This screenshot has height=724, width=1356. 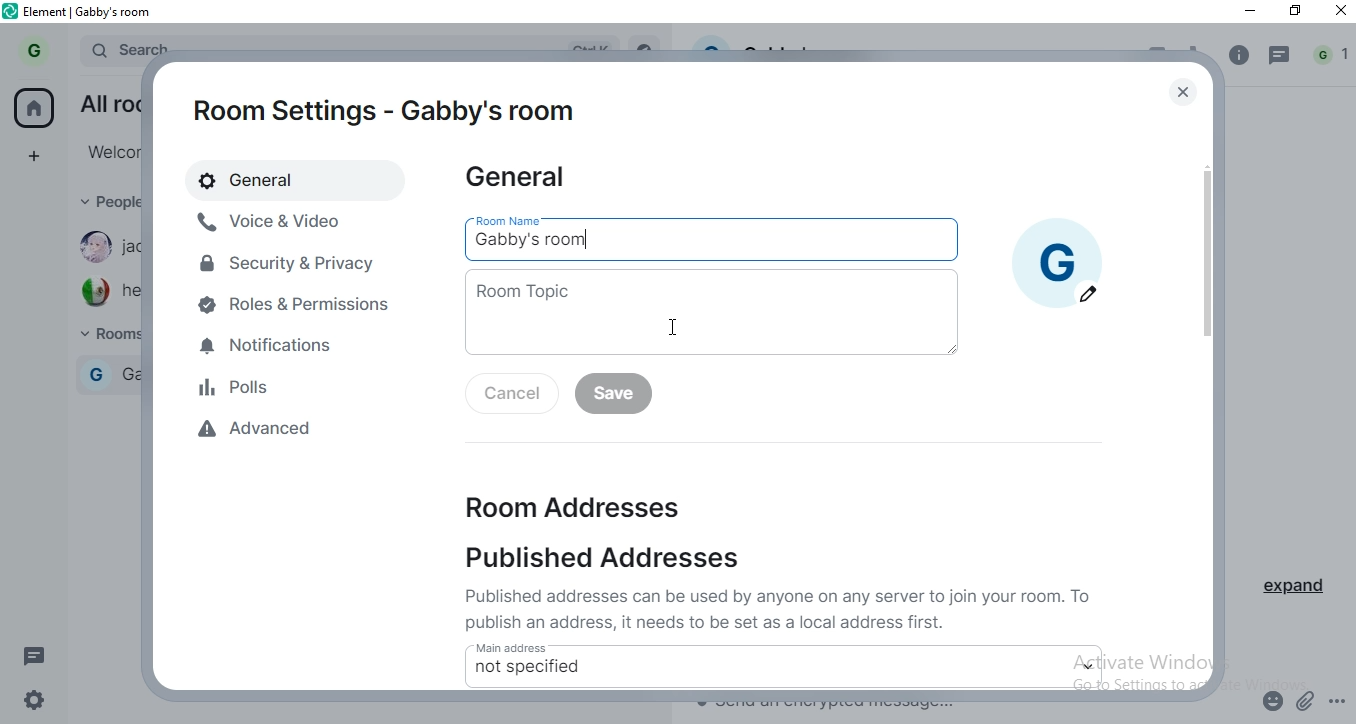 What do you see at coordinates (1089, 294) in the screenshot?
I see `edit` at bounding box center [1089, 294].